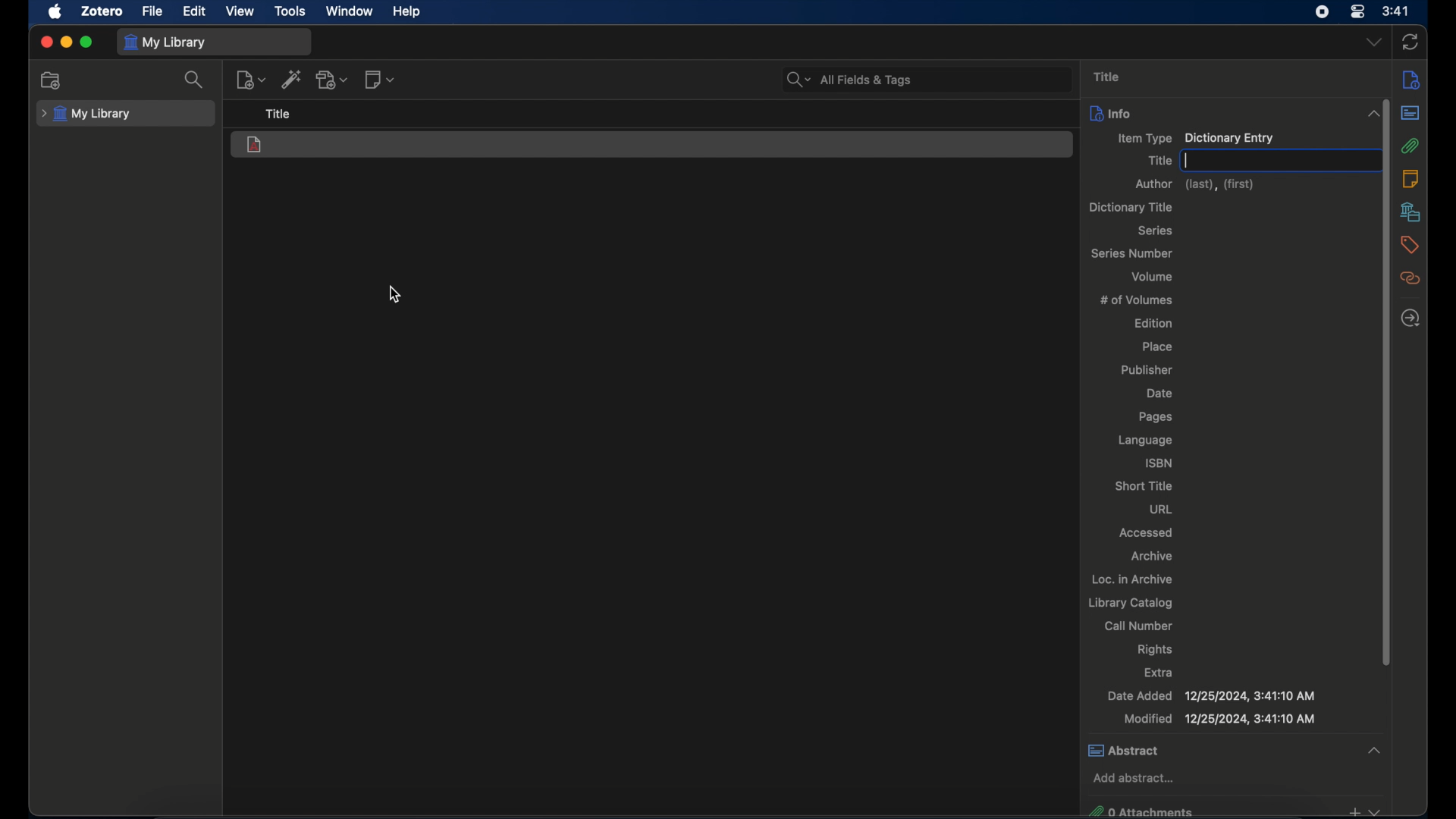 This screenshot has height=819, width=1456. What do you see at coordinates (1155, 417) in the screenshot?
I see `pages` at bounding box center [1155, 417].